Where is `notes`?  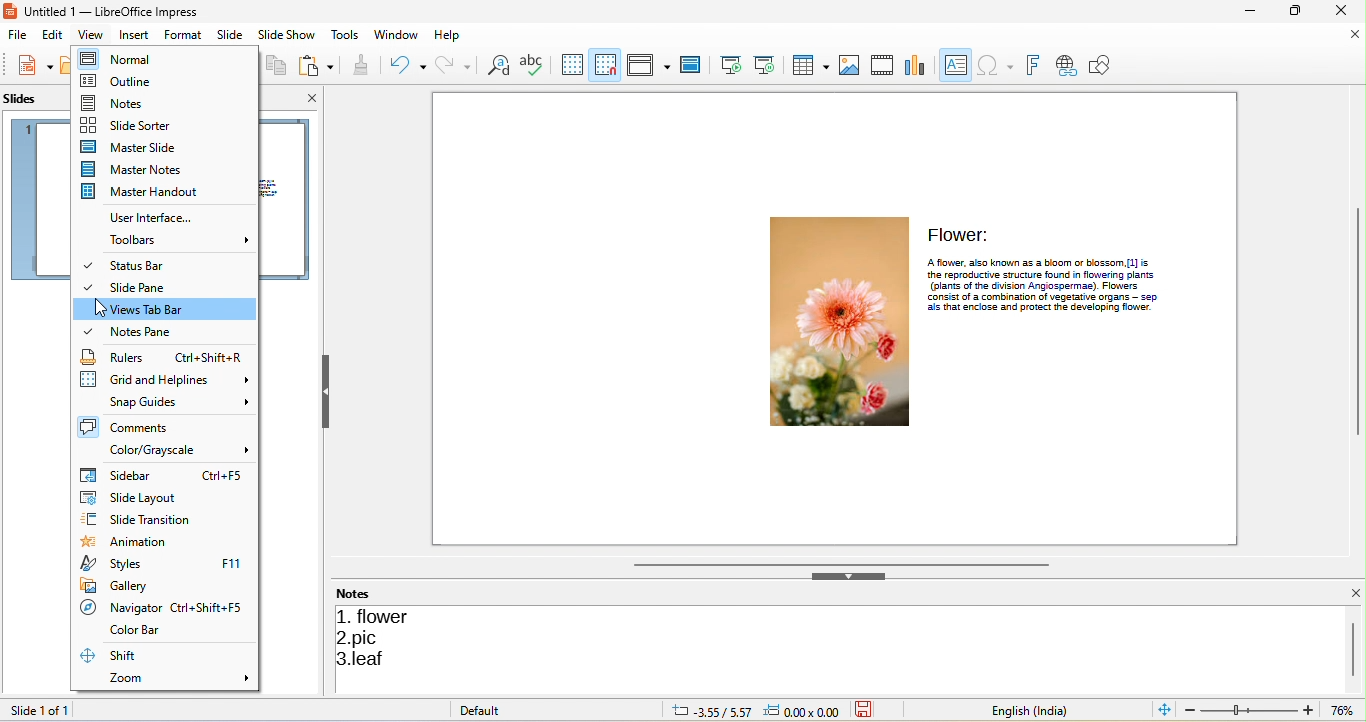 notes is located at coordinates (124, 103).